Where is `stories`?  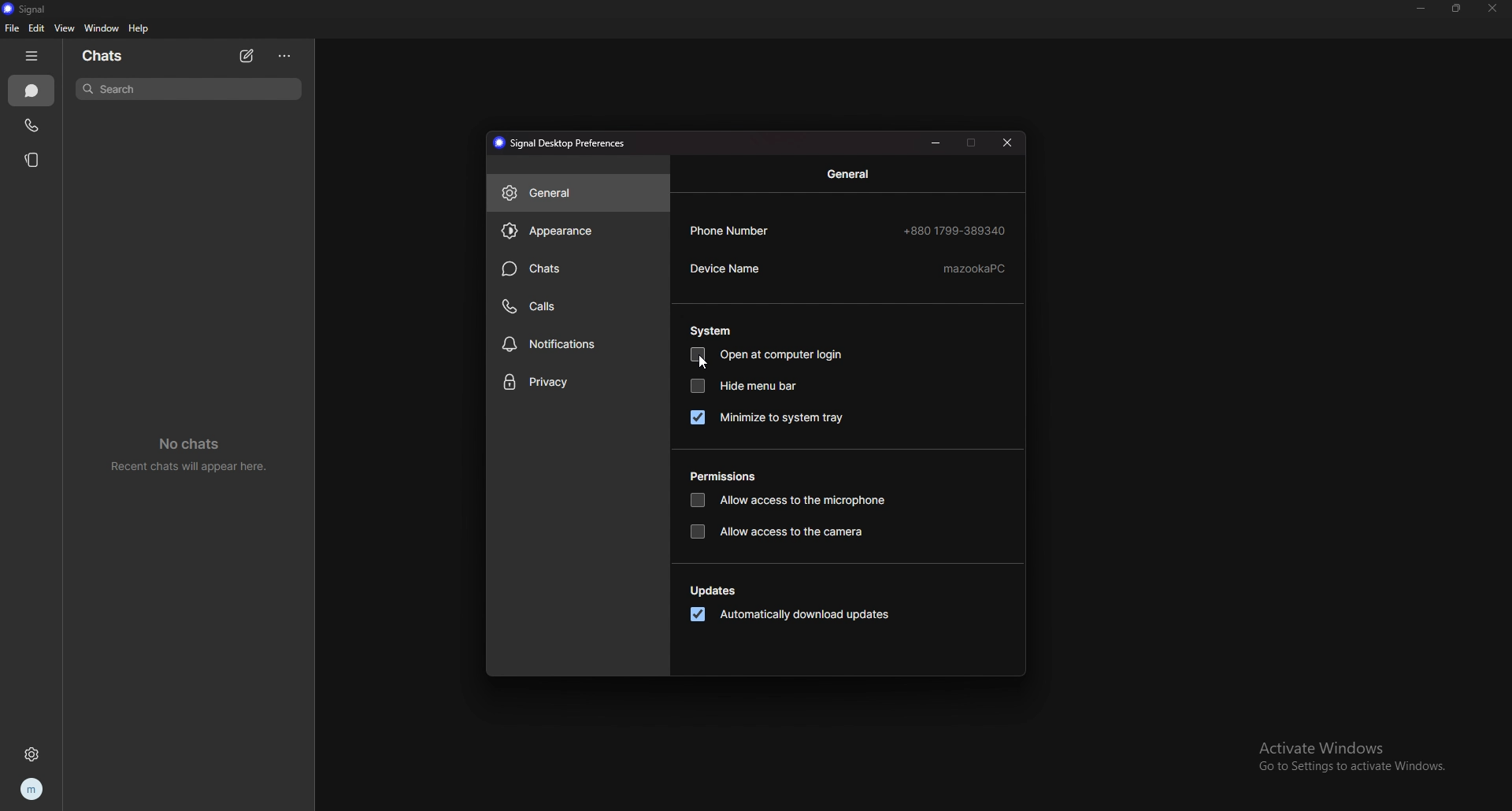 stories is located at coordinates (33, 159).